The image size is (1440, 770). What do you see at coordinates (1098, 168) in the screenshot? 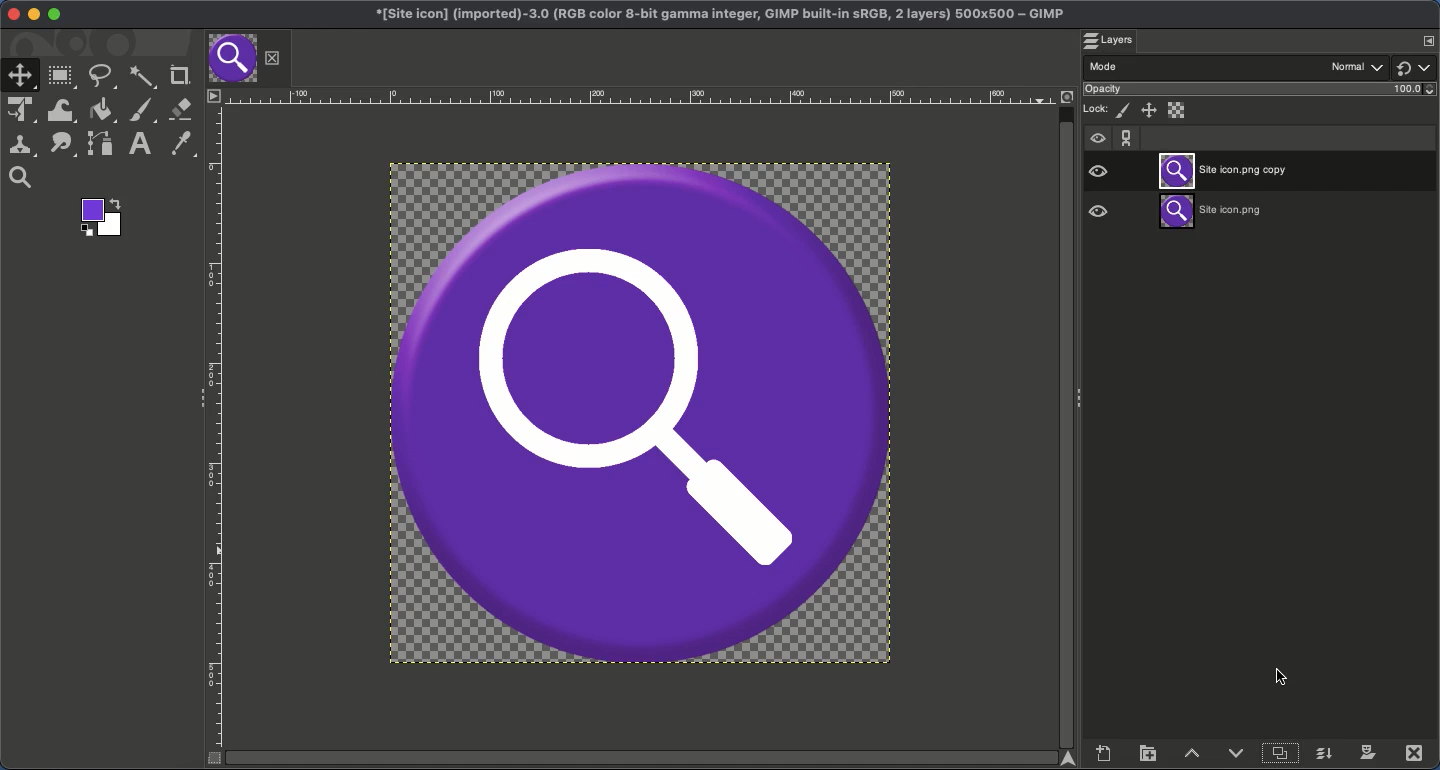
I see `Show` at bounding box center [1098, 168].